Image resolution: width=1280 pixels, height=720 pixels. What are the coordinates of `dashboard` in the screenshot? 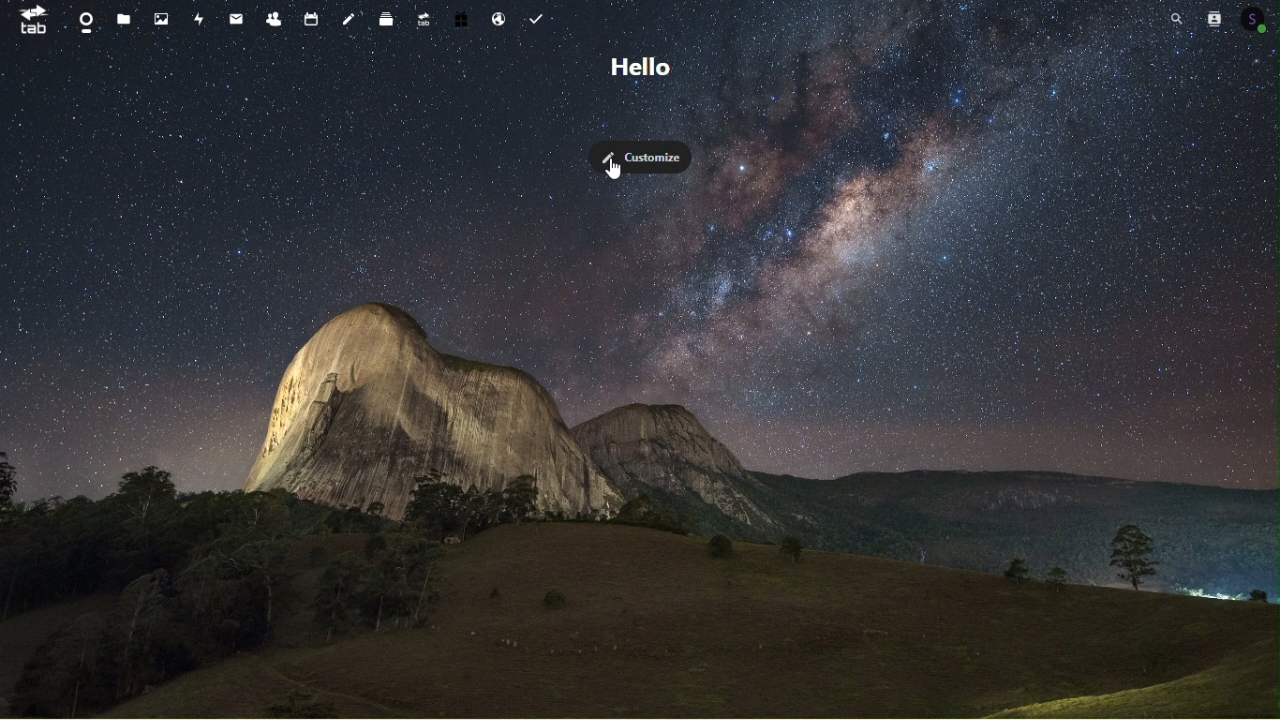 It's located at (83, 19).